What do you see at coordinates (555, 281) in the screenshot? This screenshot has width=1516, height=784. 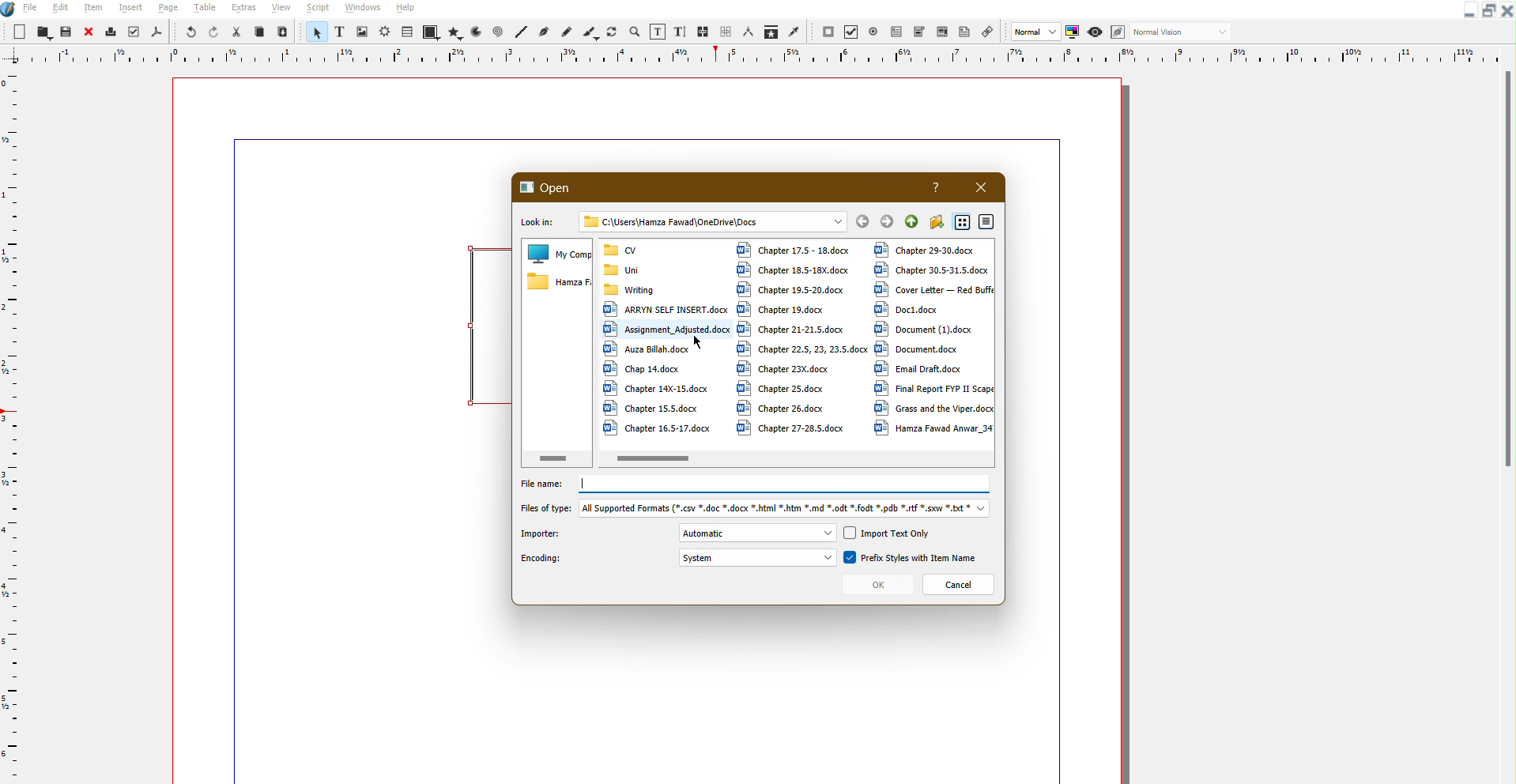 I see `Files` at bounding box center [555, 281].